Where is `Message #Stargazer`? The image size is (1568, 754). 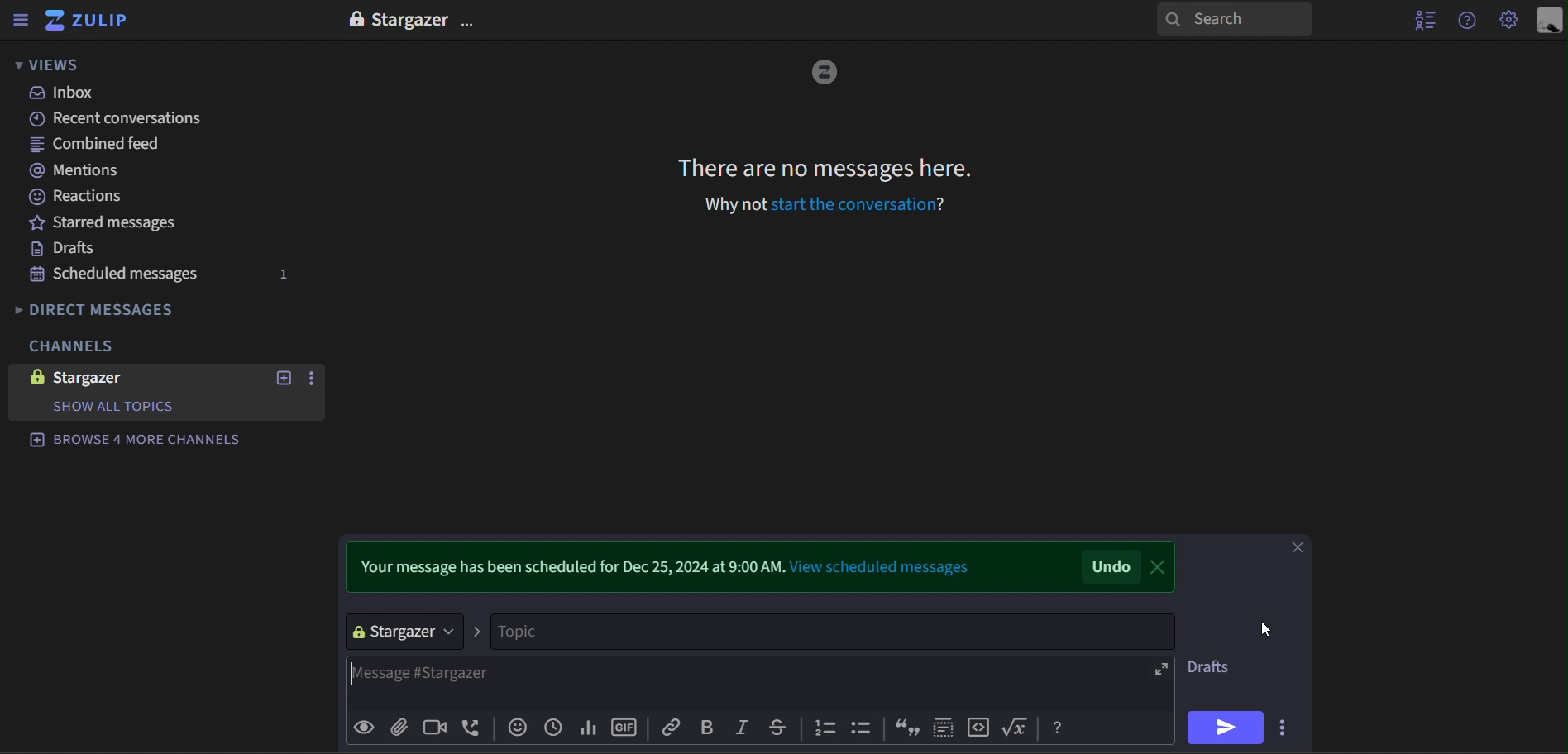
Message #Stargazer is located at coordinates (747, 683).